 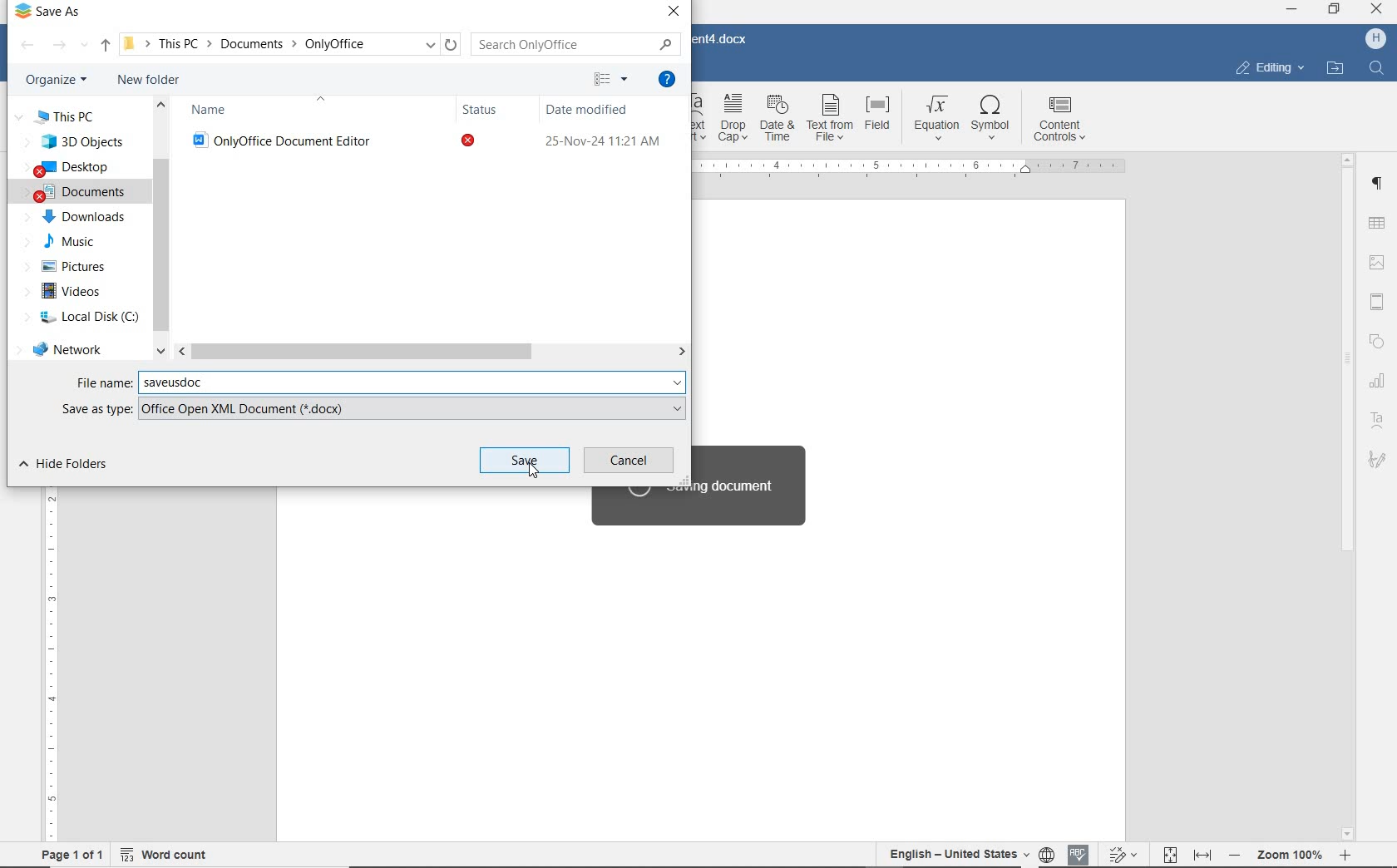 What do you see at coordinates (1380, 460) in the screenshot?
I see `signature` at bounding box center [1380, 460].